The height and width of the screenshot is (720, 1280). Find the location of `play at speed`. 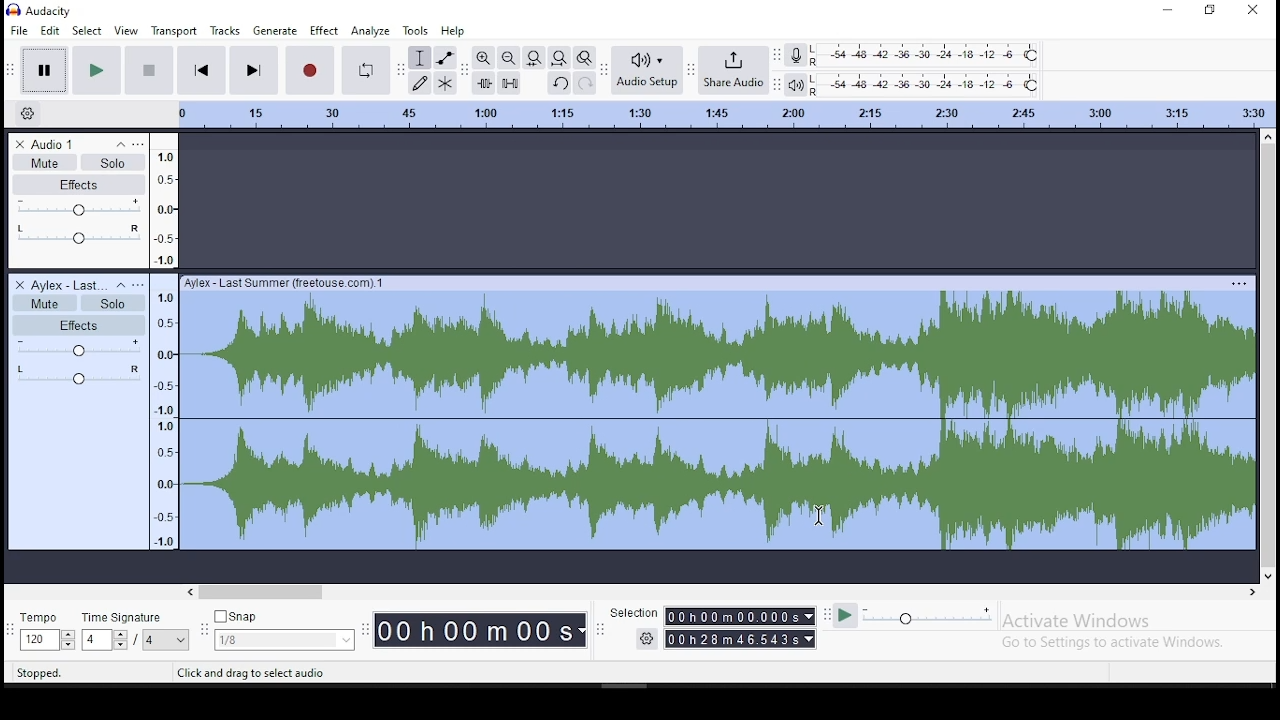

play at speed is located at coordinates (845, 617).